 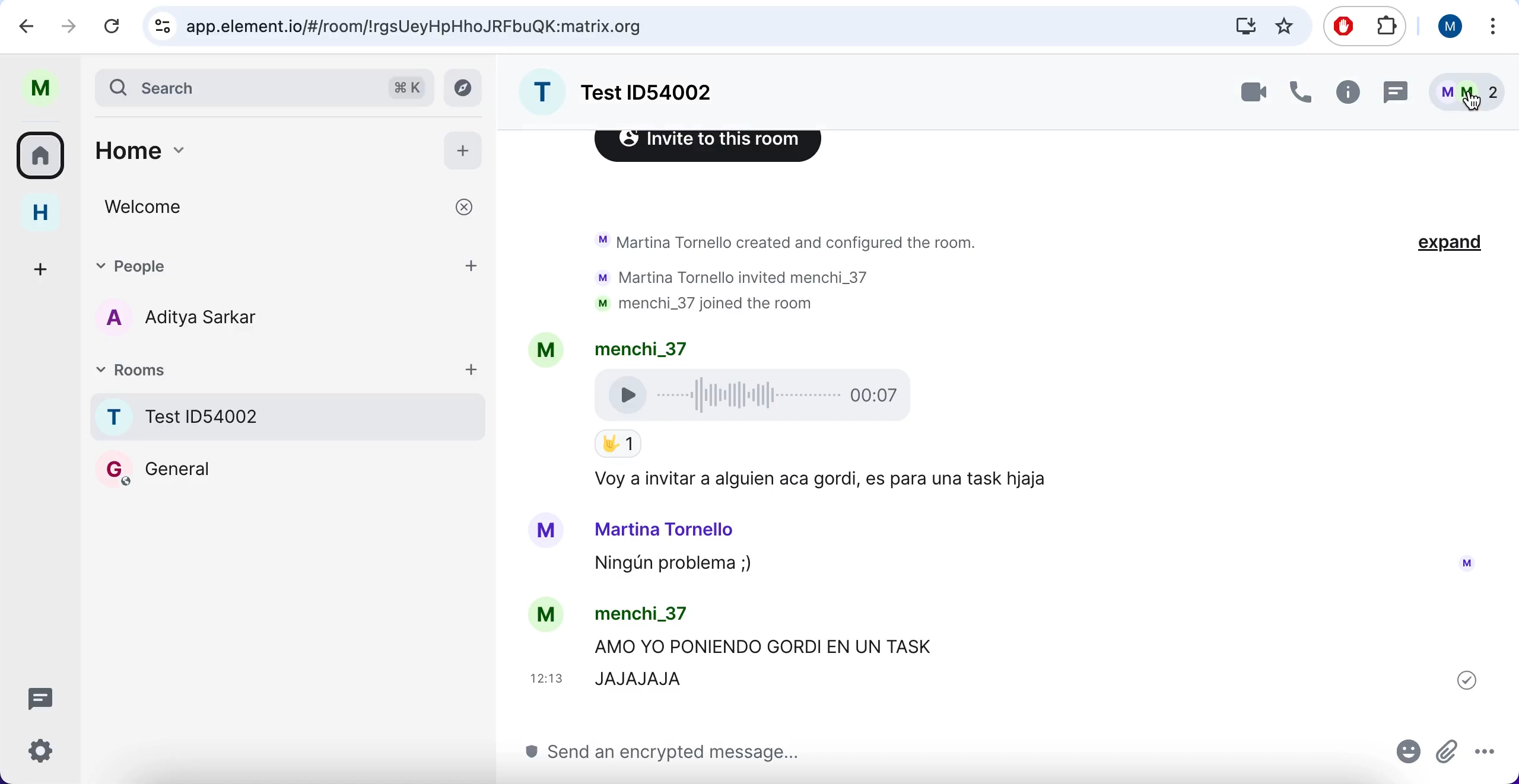 I want to click on ad block, so click(x=1343, y=27).